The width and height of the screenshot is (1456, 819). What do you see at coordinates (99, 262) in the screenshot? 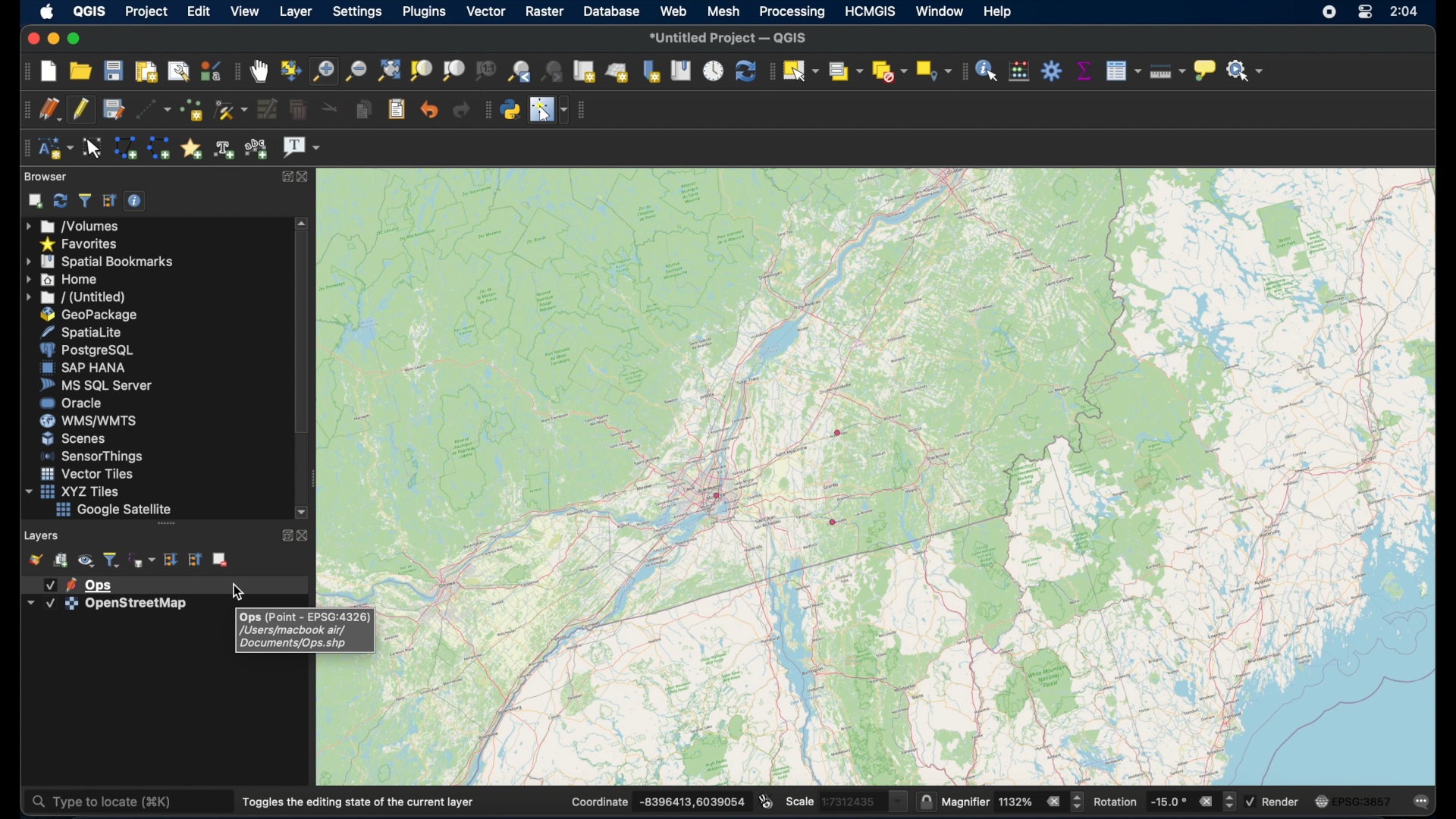
I see `spatial bookmarks` at bounding box center [99, 262].